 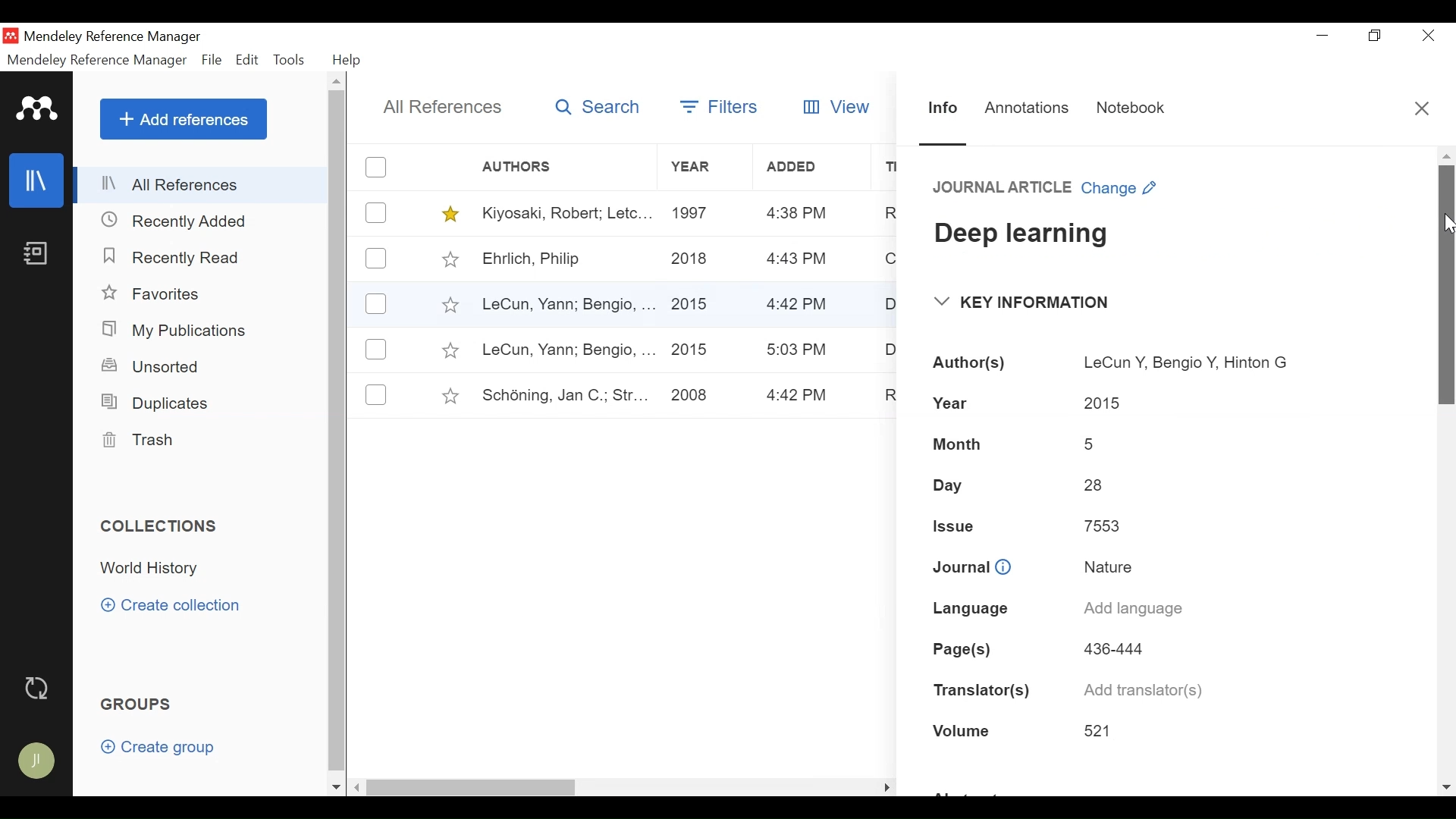 I want to click on 28, so click(x=1097, y=485).